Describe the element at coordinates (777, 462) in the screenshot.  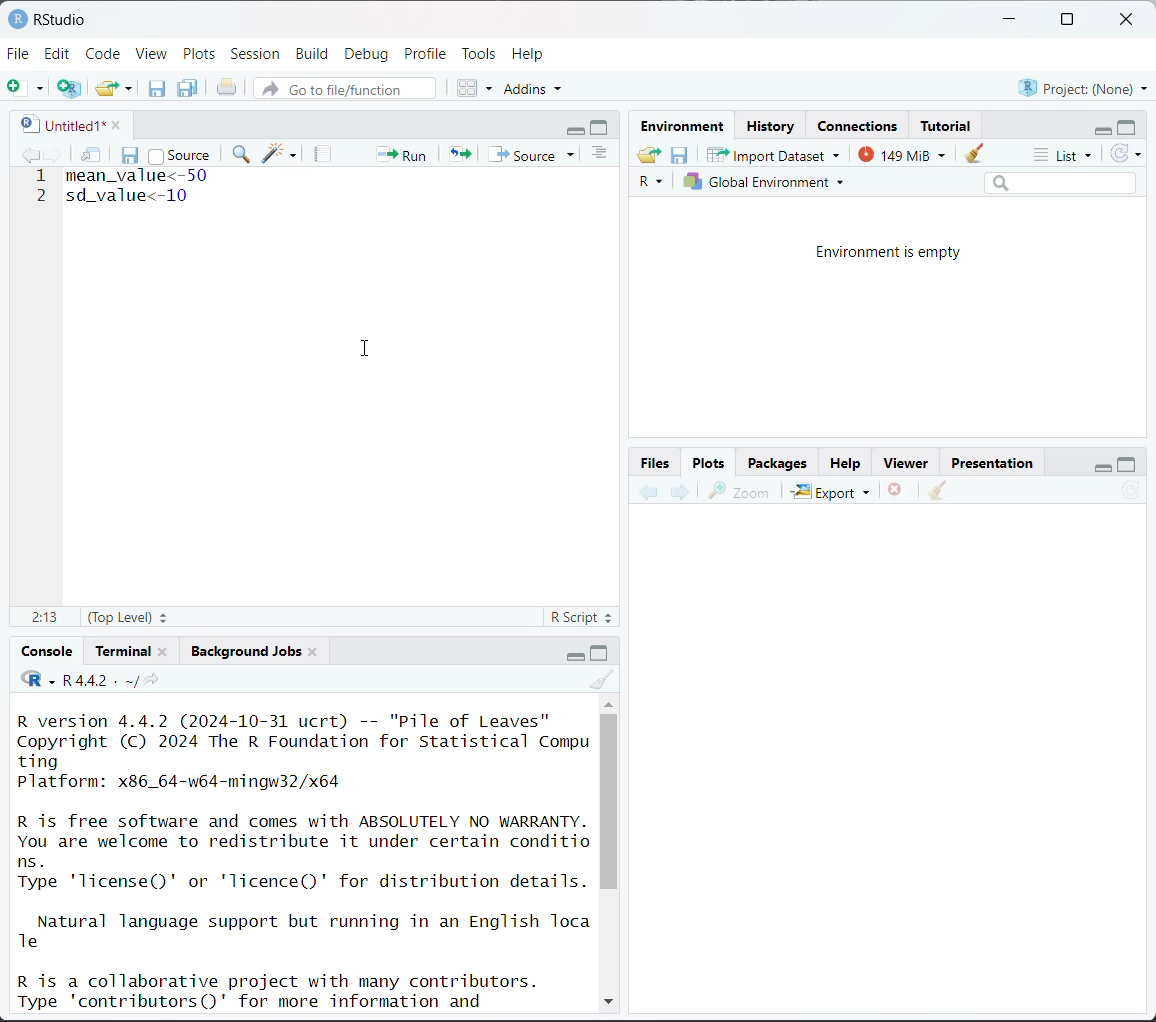
I see `Packages` at that location.